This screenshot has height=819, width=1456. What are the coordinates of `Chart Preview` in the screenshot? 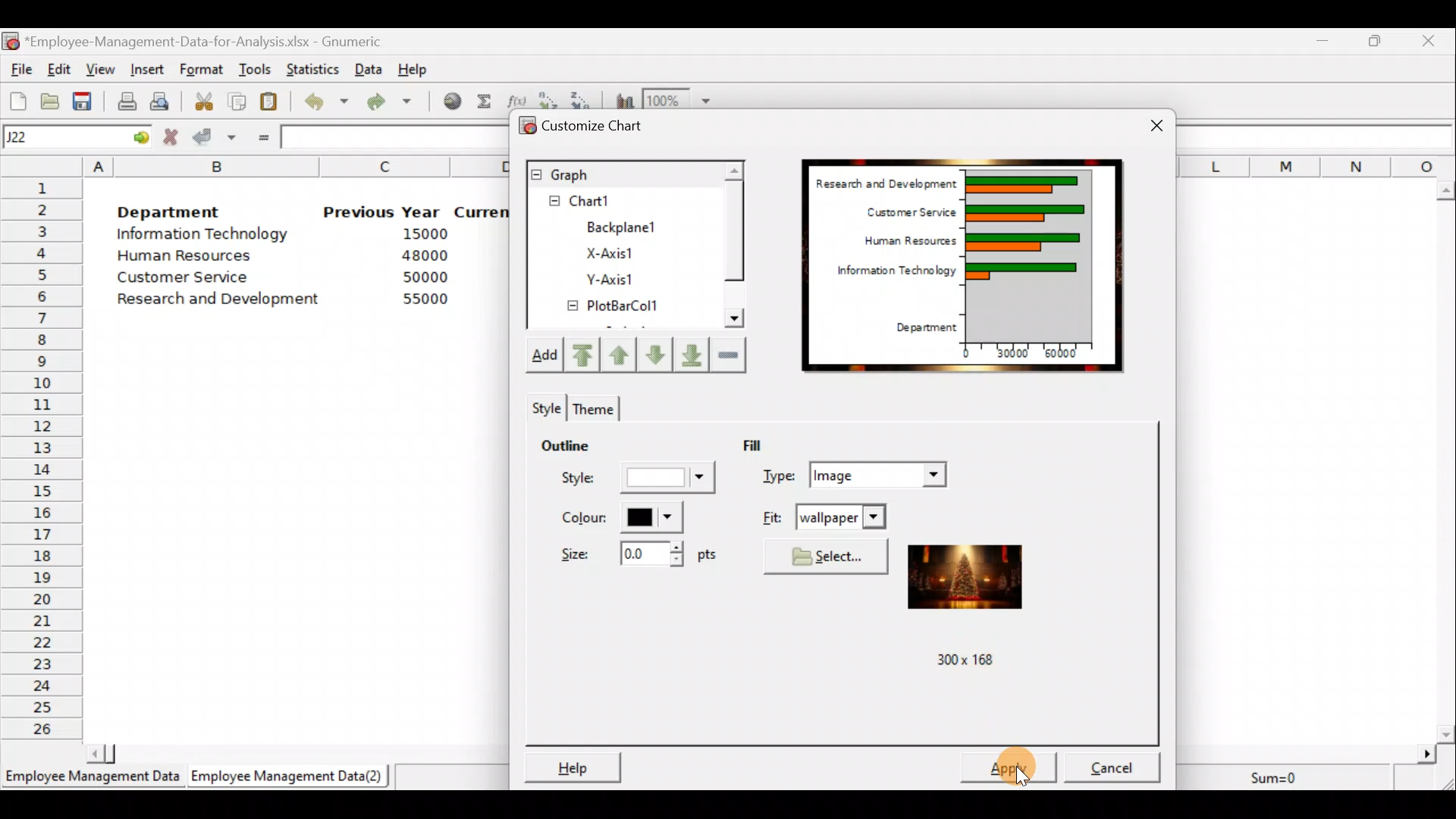 It's located at (1030, 255).